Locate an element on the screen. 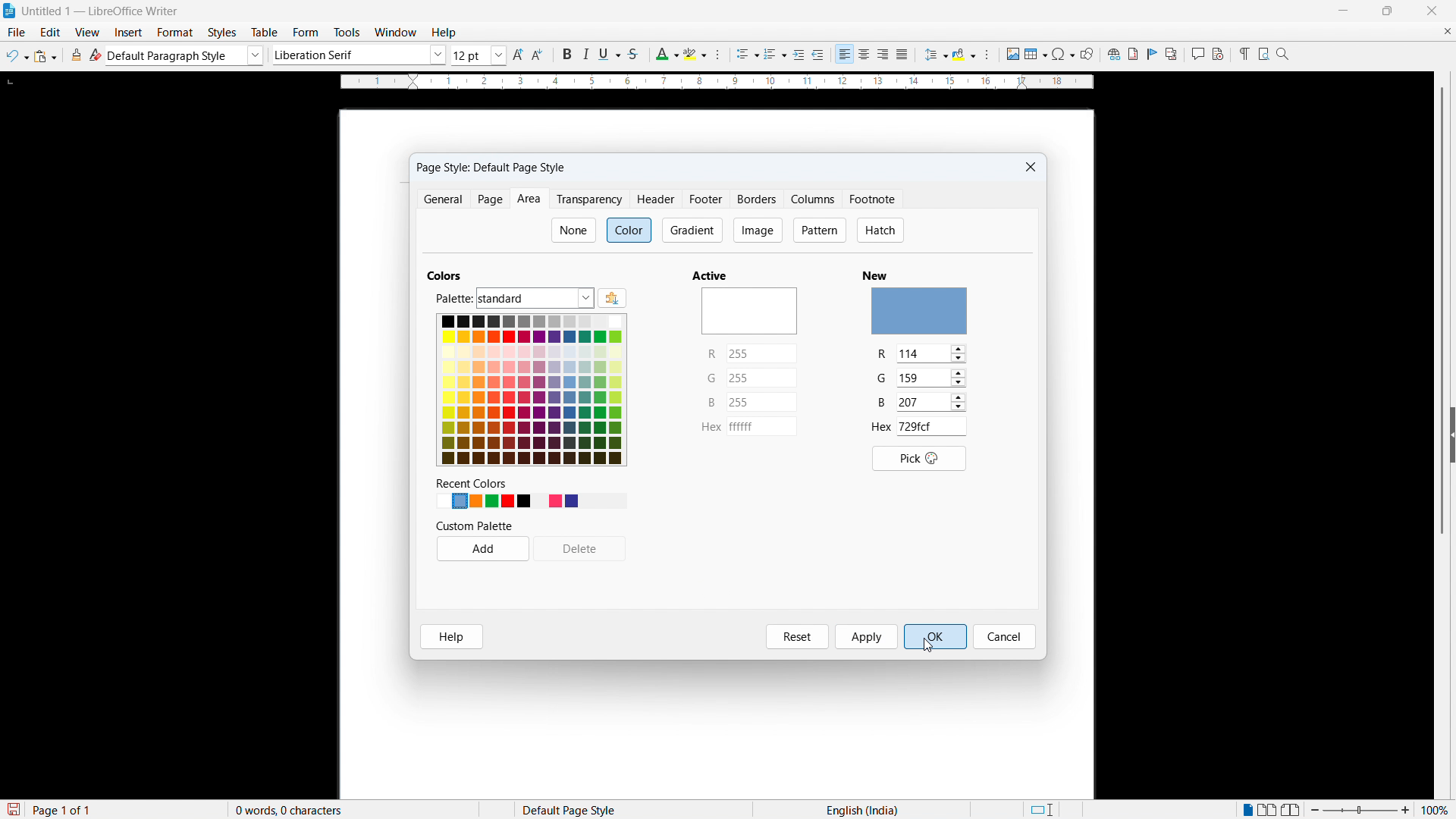  Active  is located at coordinates (711, 275).